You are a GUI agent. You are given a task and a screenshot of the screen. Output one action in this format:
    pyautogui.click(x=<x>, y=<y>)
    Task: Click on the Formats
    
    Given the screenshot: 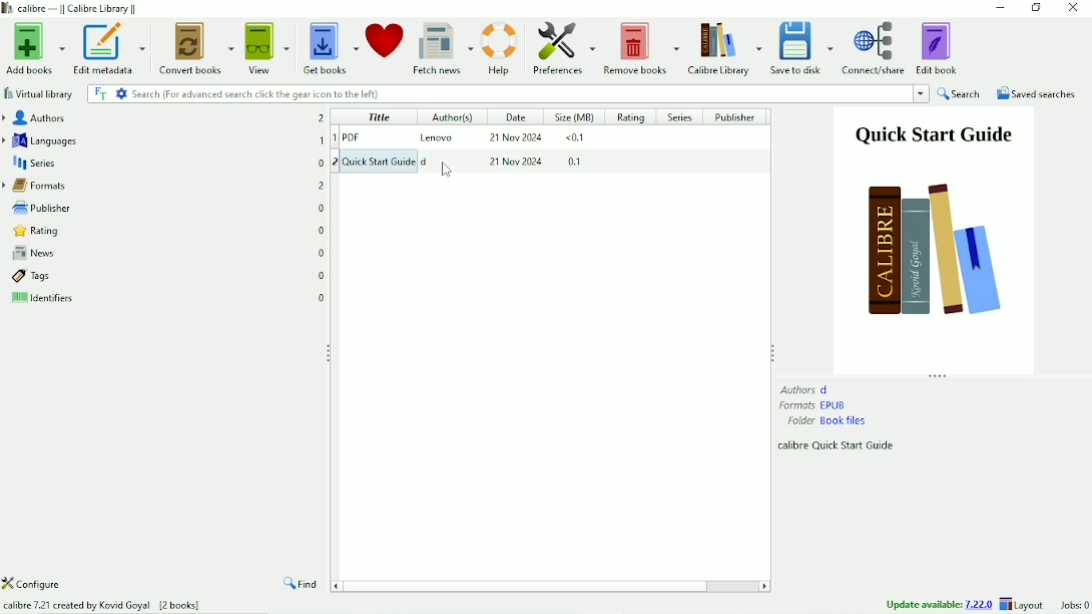 What is the action you would take?
    pyautogui.click(x=164, y=184)
    